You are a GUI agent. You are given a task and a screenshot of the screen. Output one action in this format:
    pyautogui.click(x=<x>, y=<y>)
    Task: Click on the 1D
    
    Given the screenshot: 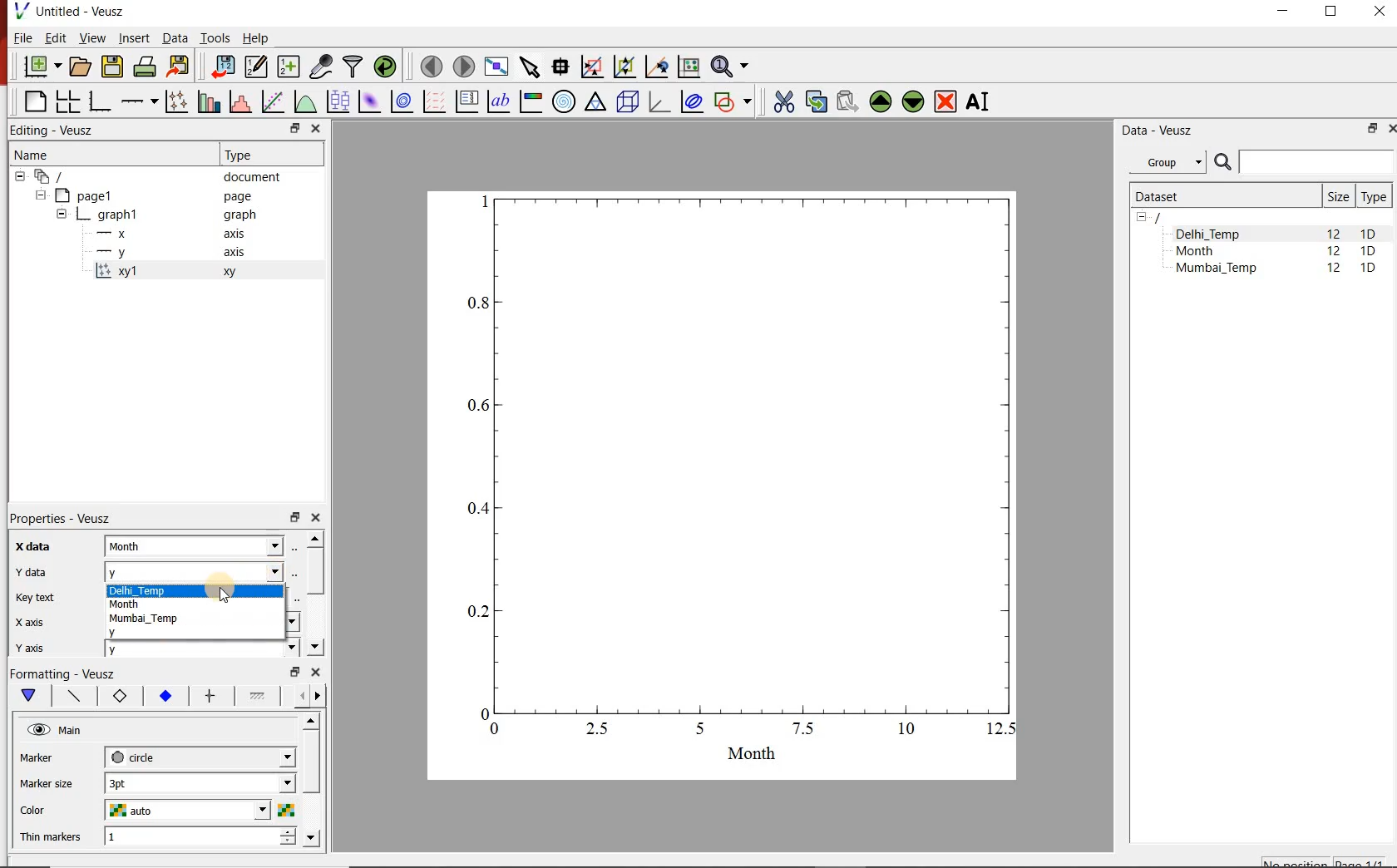 What is the action you would take?
    pyautogui.click(x=1368, y=269)
    